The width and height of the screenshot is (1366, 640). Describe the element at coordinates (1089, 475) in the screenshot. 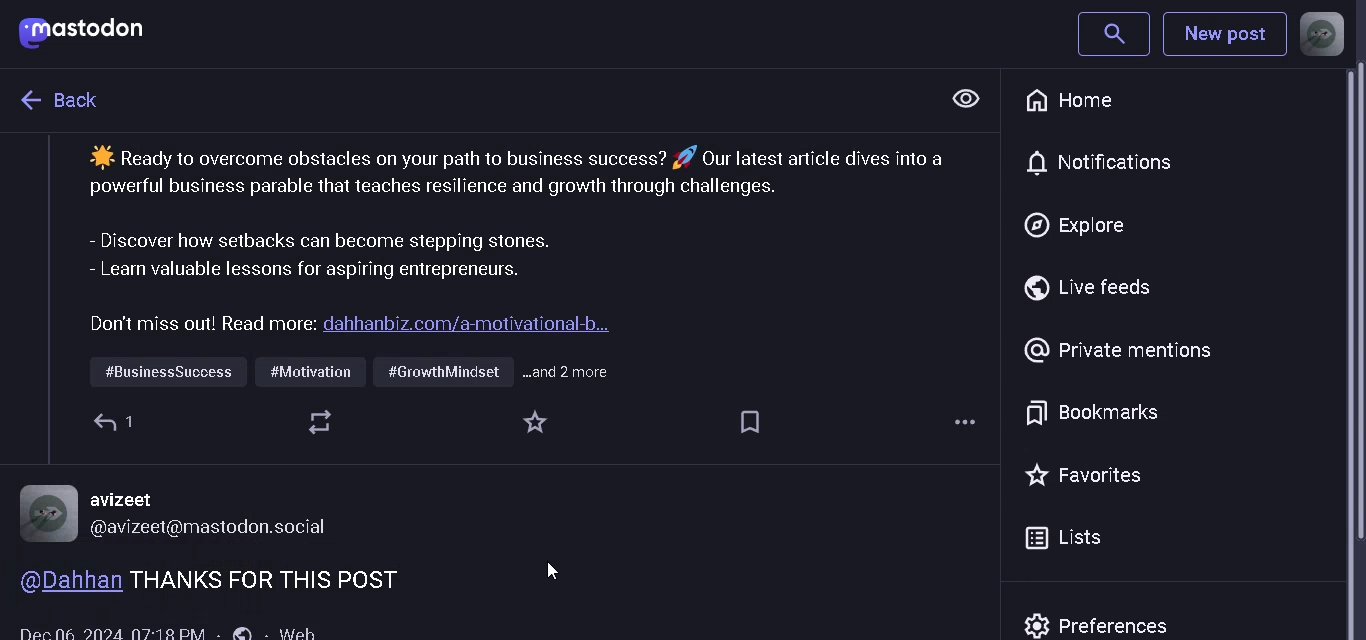

I see `favorites` at that location.